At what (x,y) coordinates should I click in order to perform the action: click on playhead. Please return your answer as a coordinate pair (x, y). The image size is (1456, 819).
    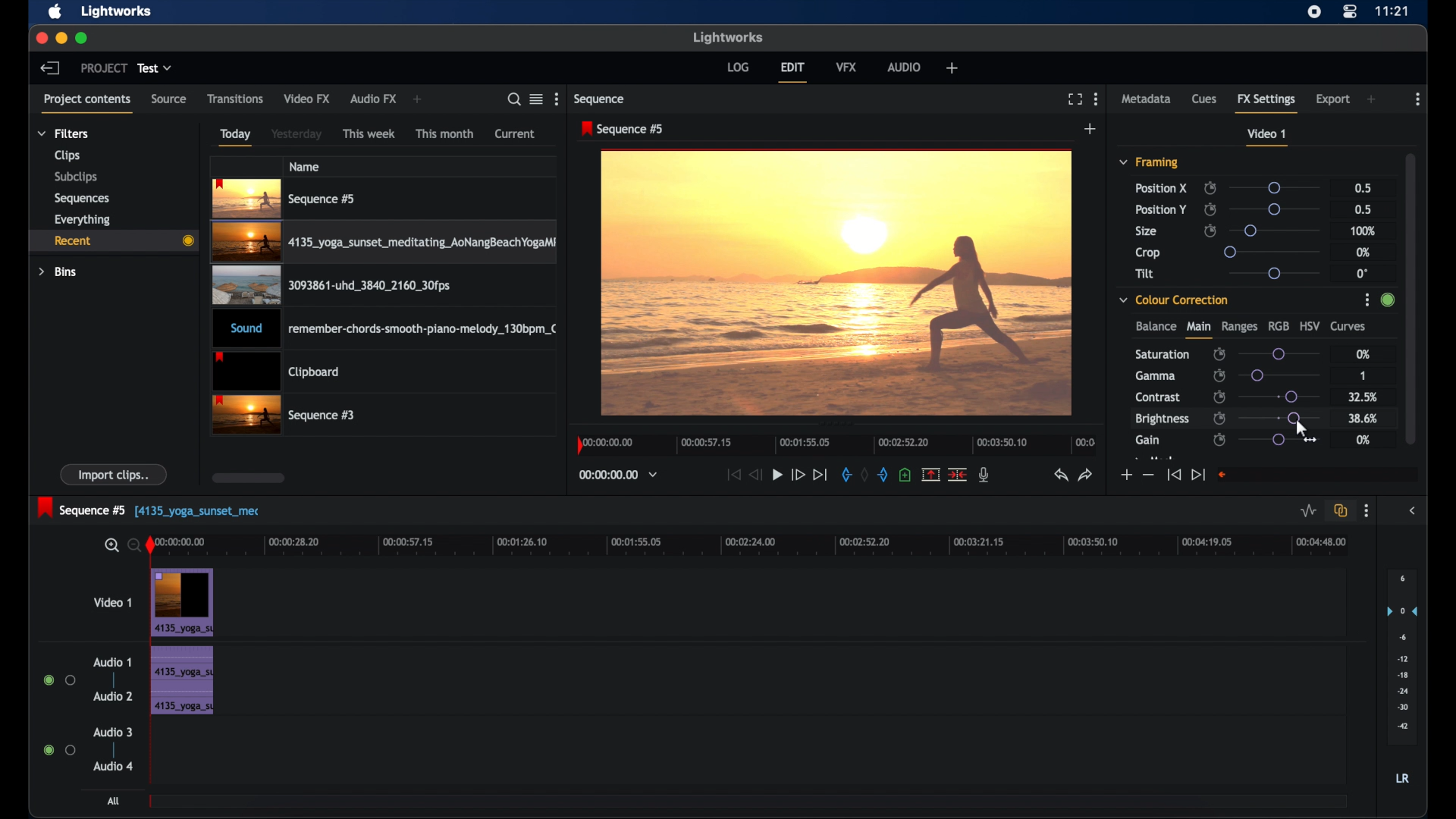
    Looking at the image, I should click on (151, 546).